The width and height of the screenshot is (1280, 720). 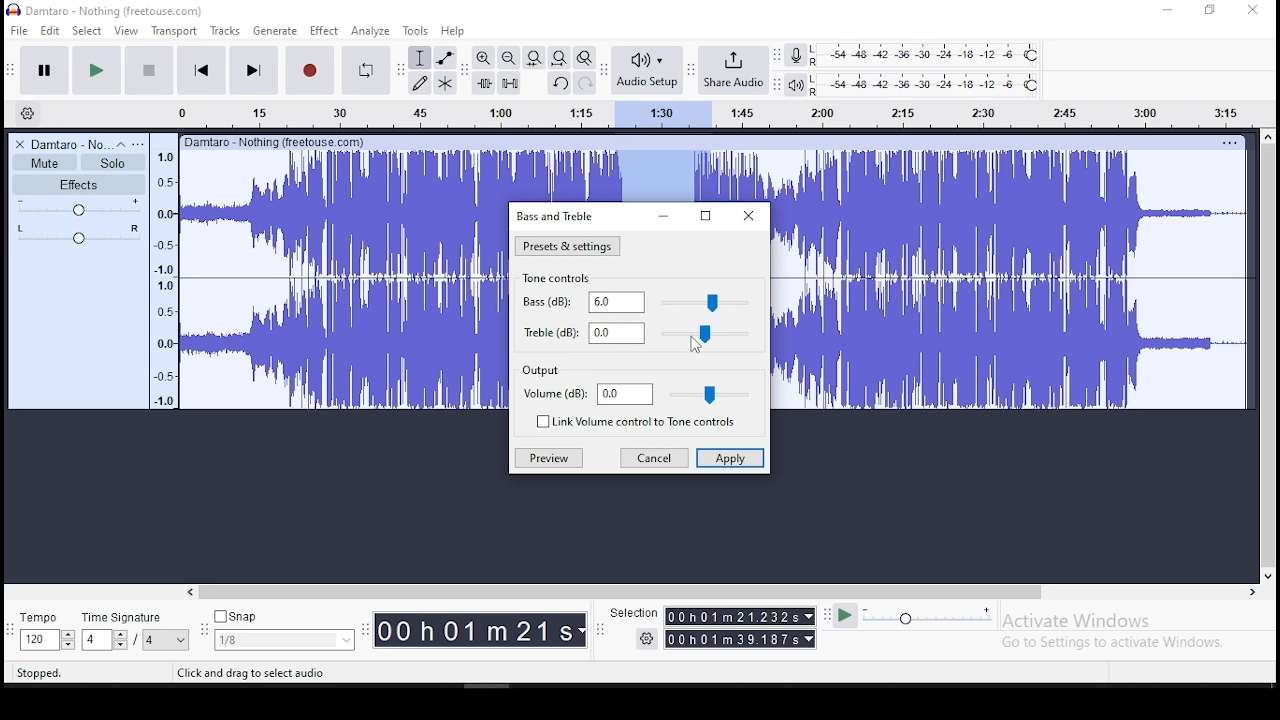 I want to click on , so click(x=275, y=141).